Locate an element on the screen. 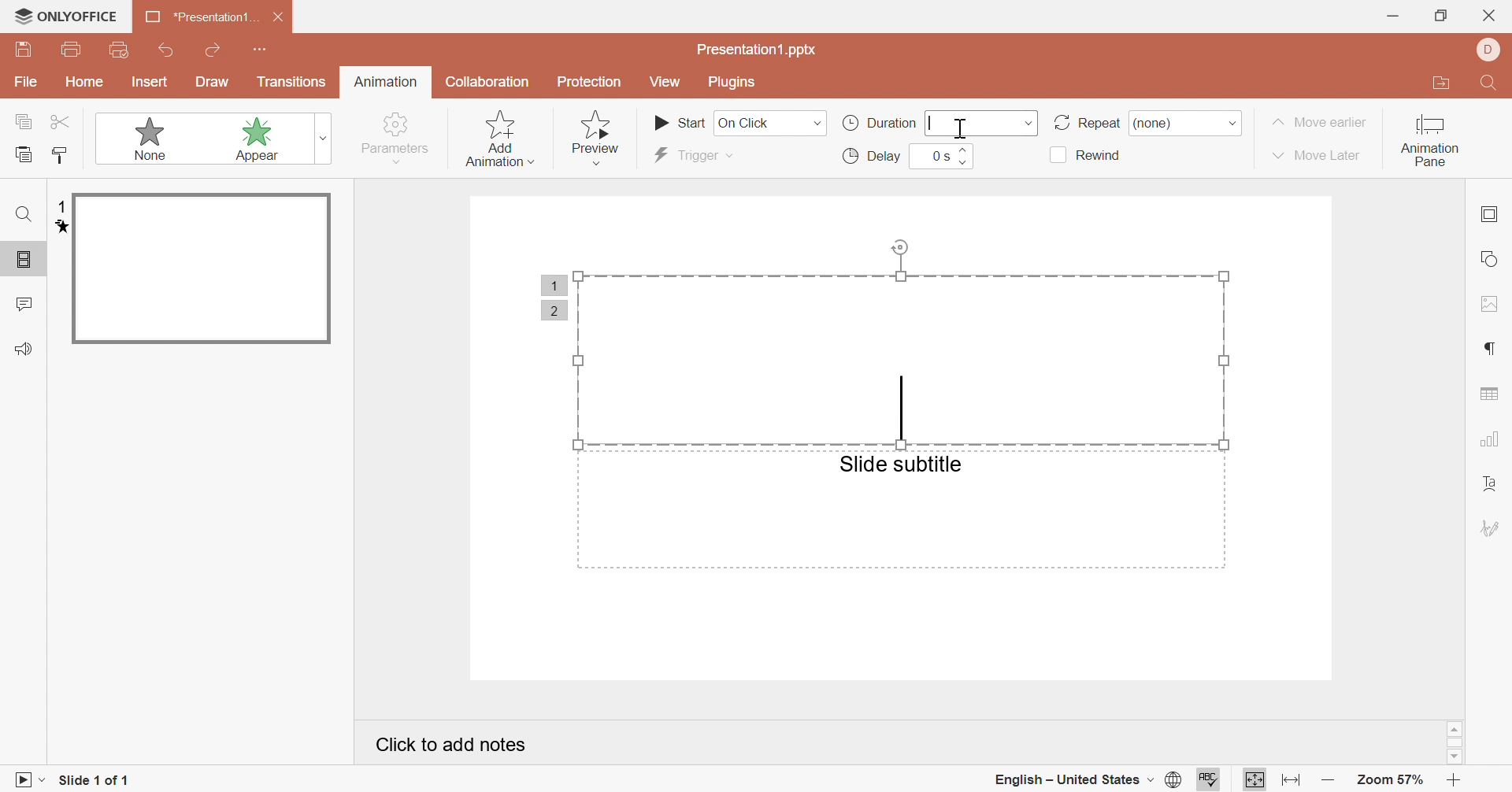 The width and height of the screenshot is (1512, 792). 2 is located at coordinates (556, 313).